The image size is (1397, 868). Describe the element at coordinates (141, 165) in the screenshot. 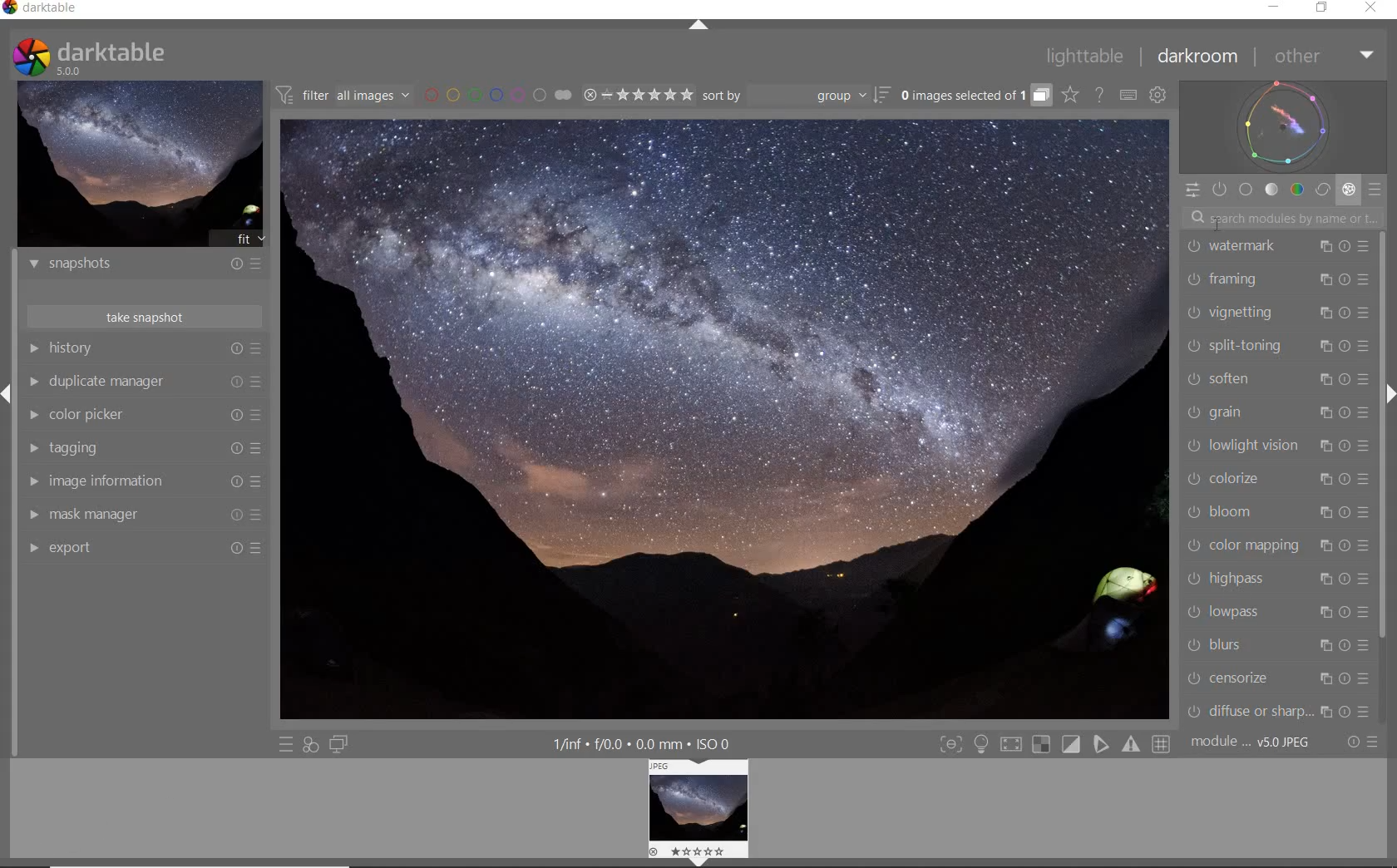

I see `IMAGE PREVIEW` at that location.